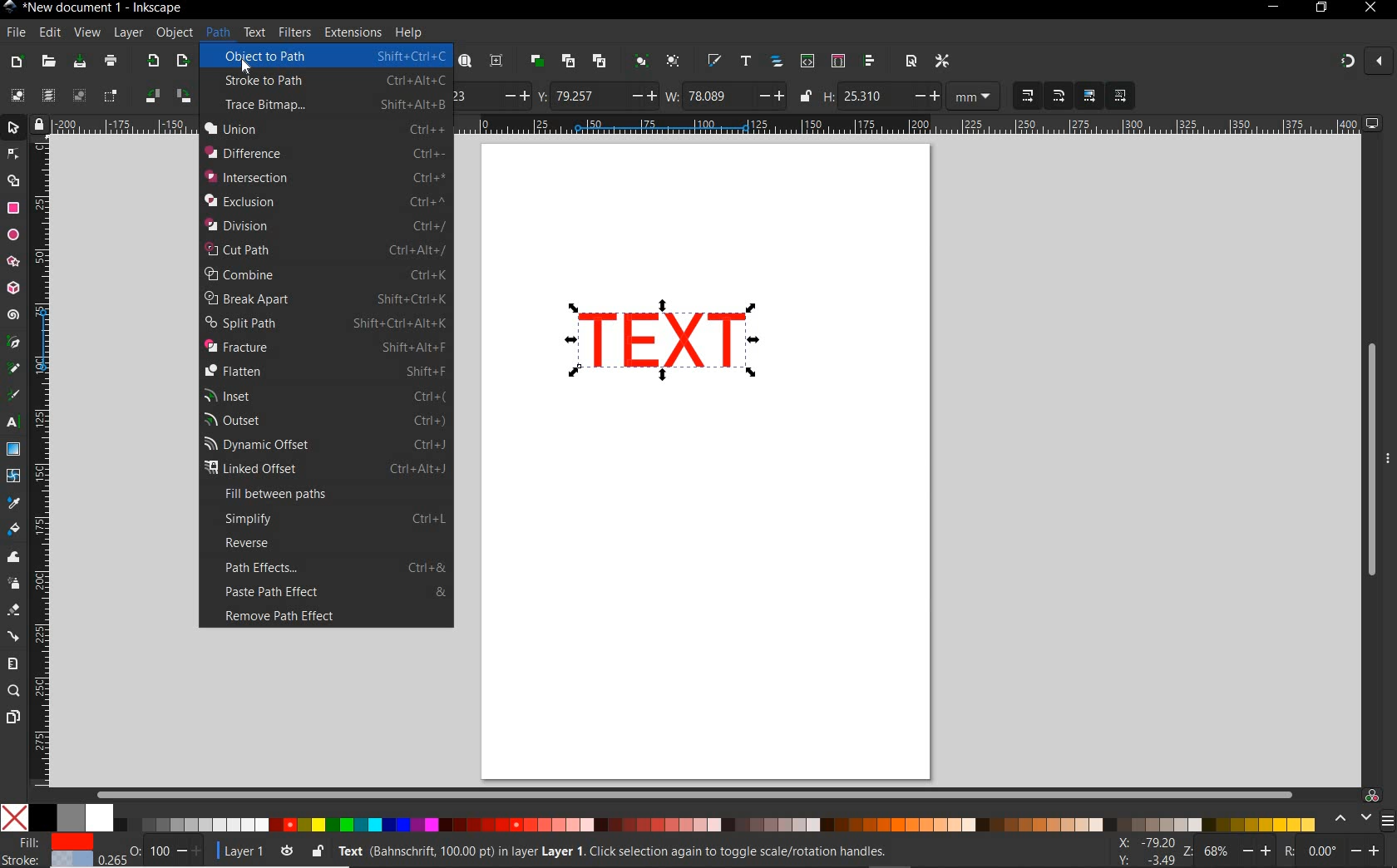  I want to click on DYNAMIC OFFSET, so click(326, 445).